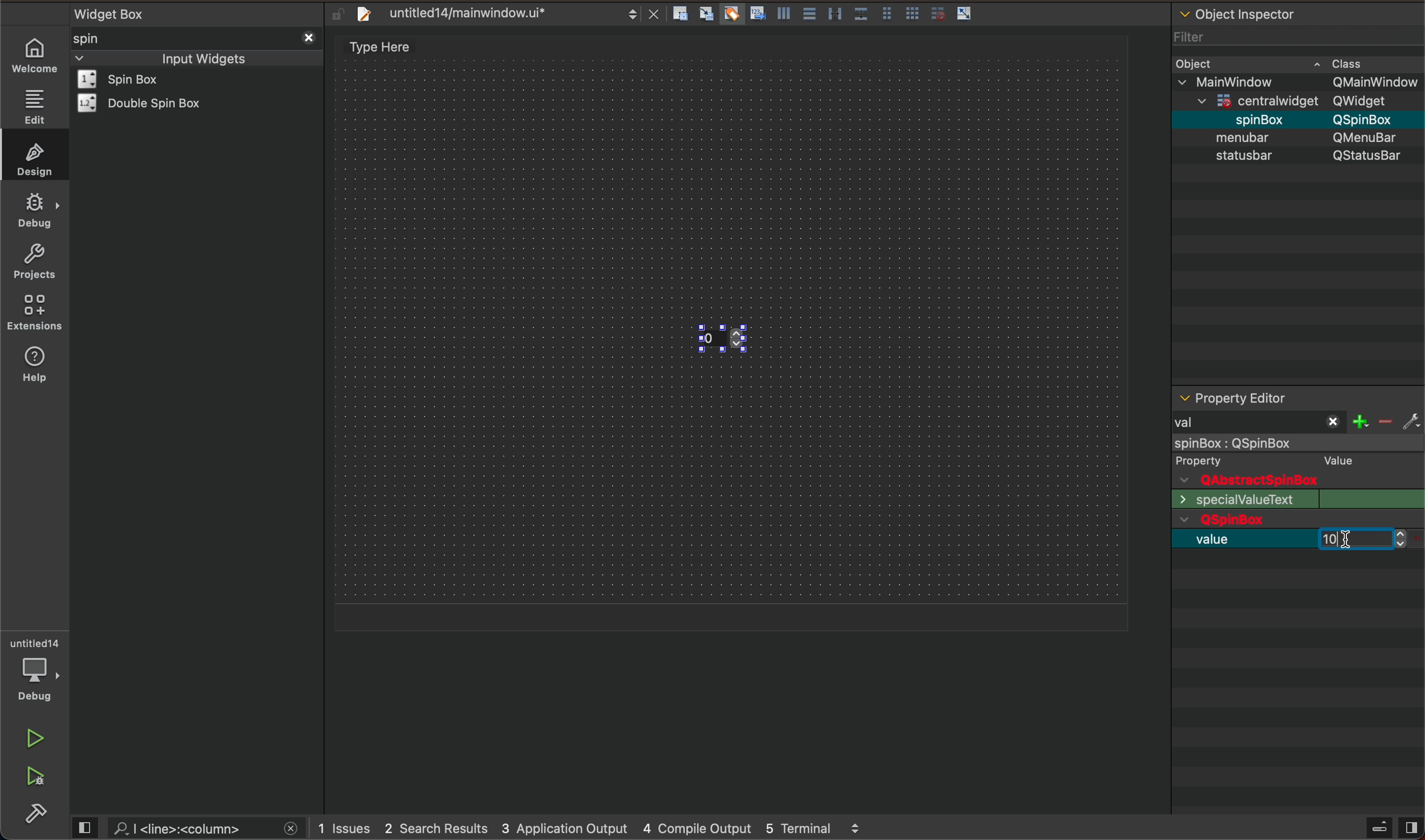  What do you see at coordinates (1233, 398) in the screenshot?
I see `editor` at bounding box center [1233, 398].